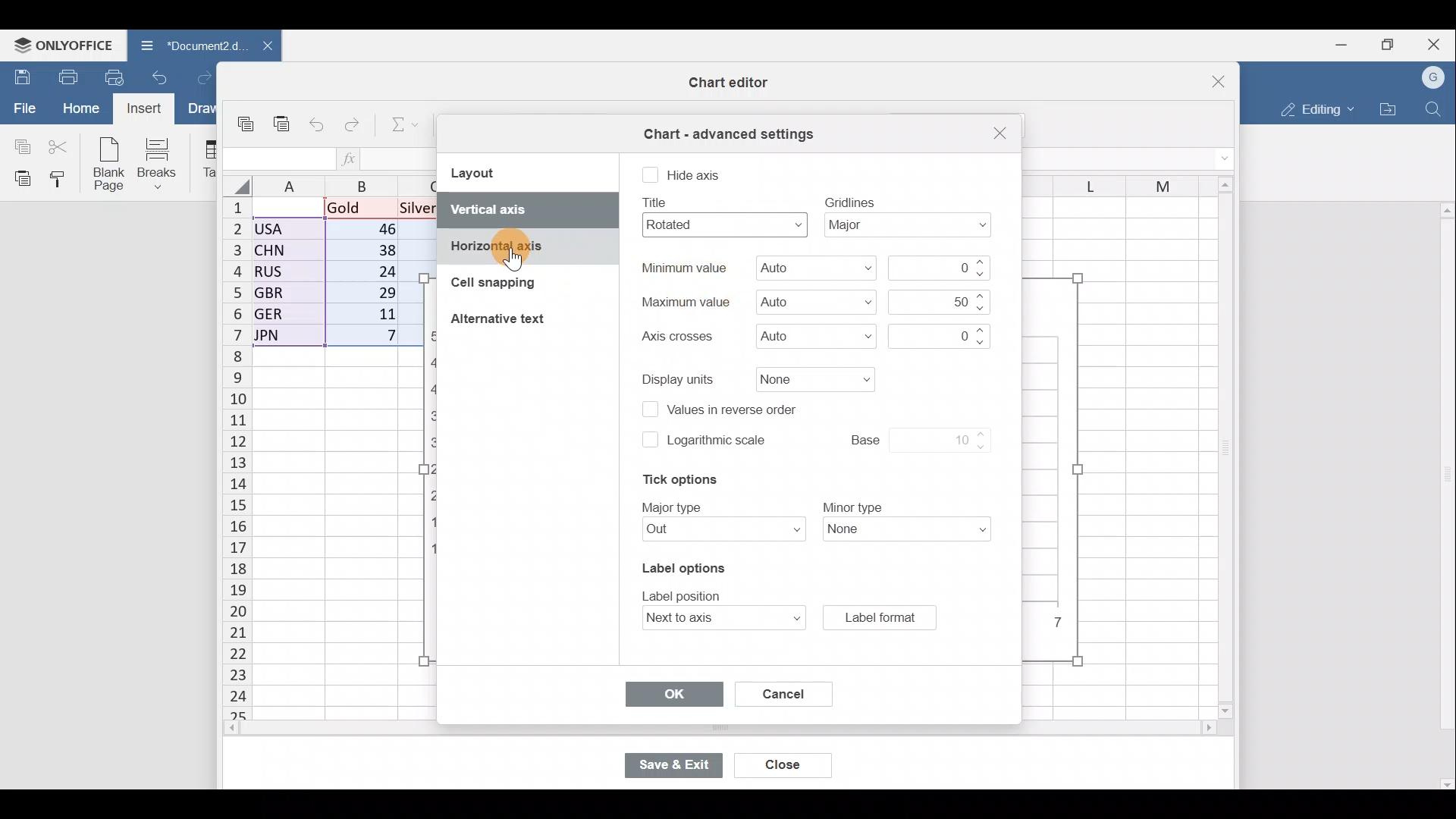 The height and width of the screenshot is (819, 1456). Describe the element at coordinates (1110, 180) in the screenshot. I see `Columns` at that location.